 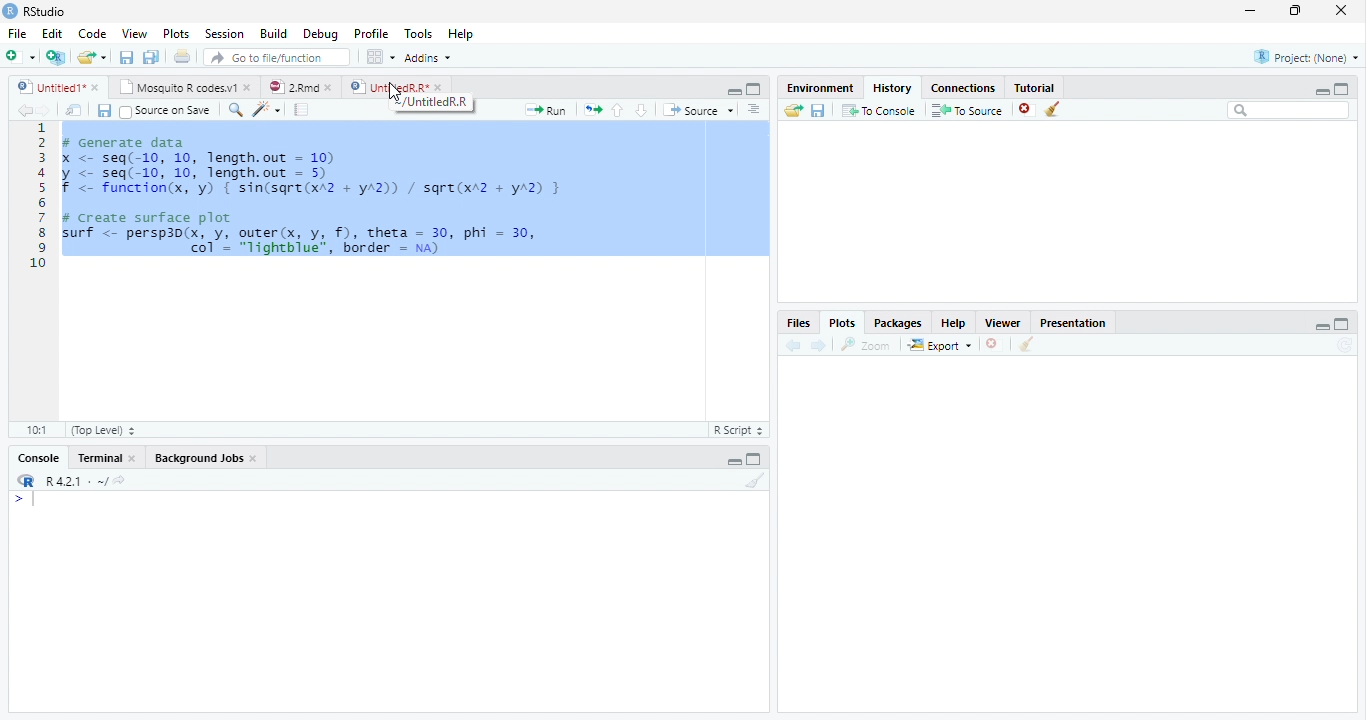 I want to click on Open recent files, so click(x=104, y=57).